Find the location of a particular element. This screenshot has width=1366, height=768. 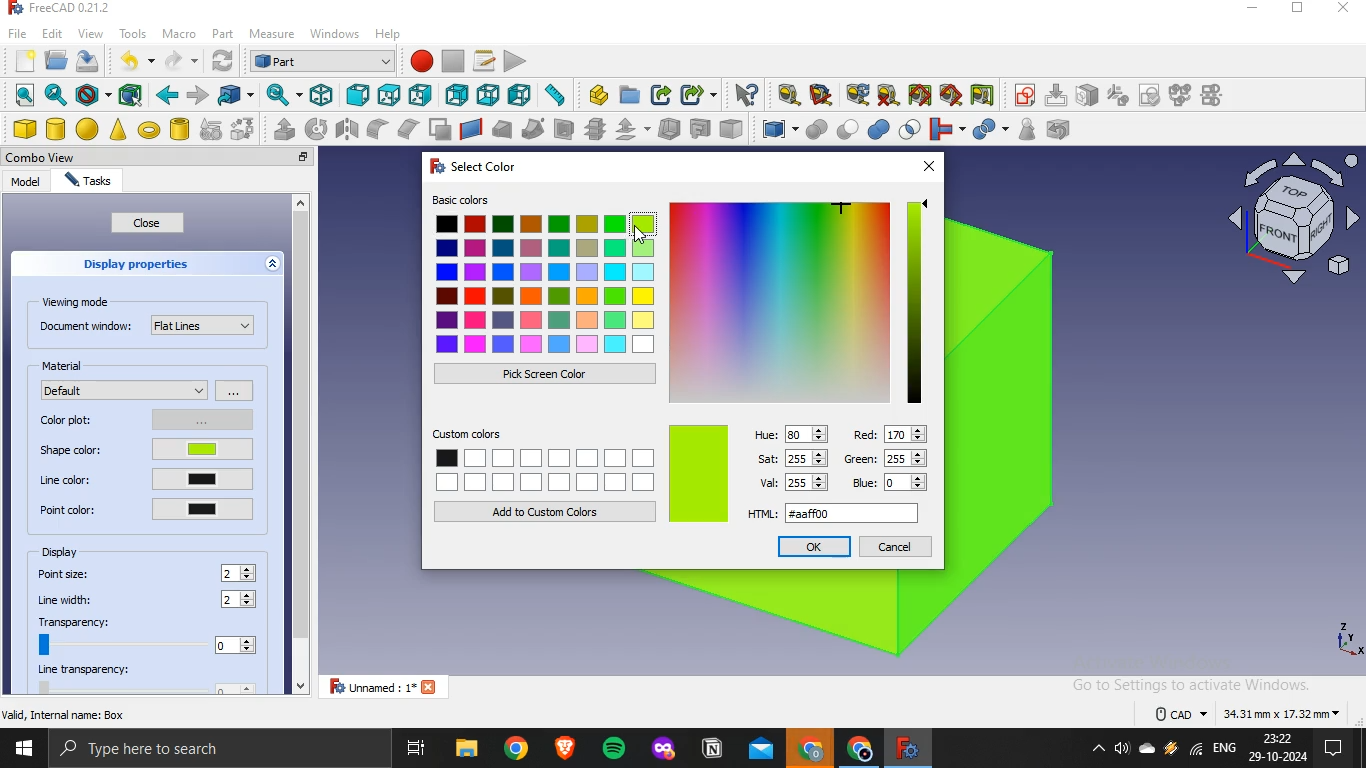

cylinder is located at coordinates (57, 129).